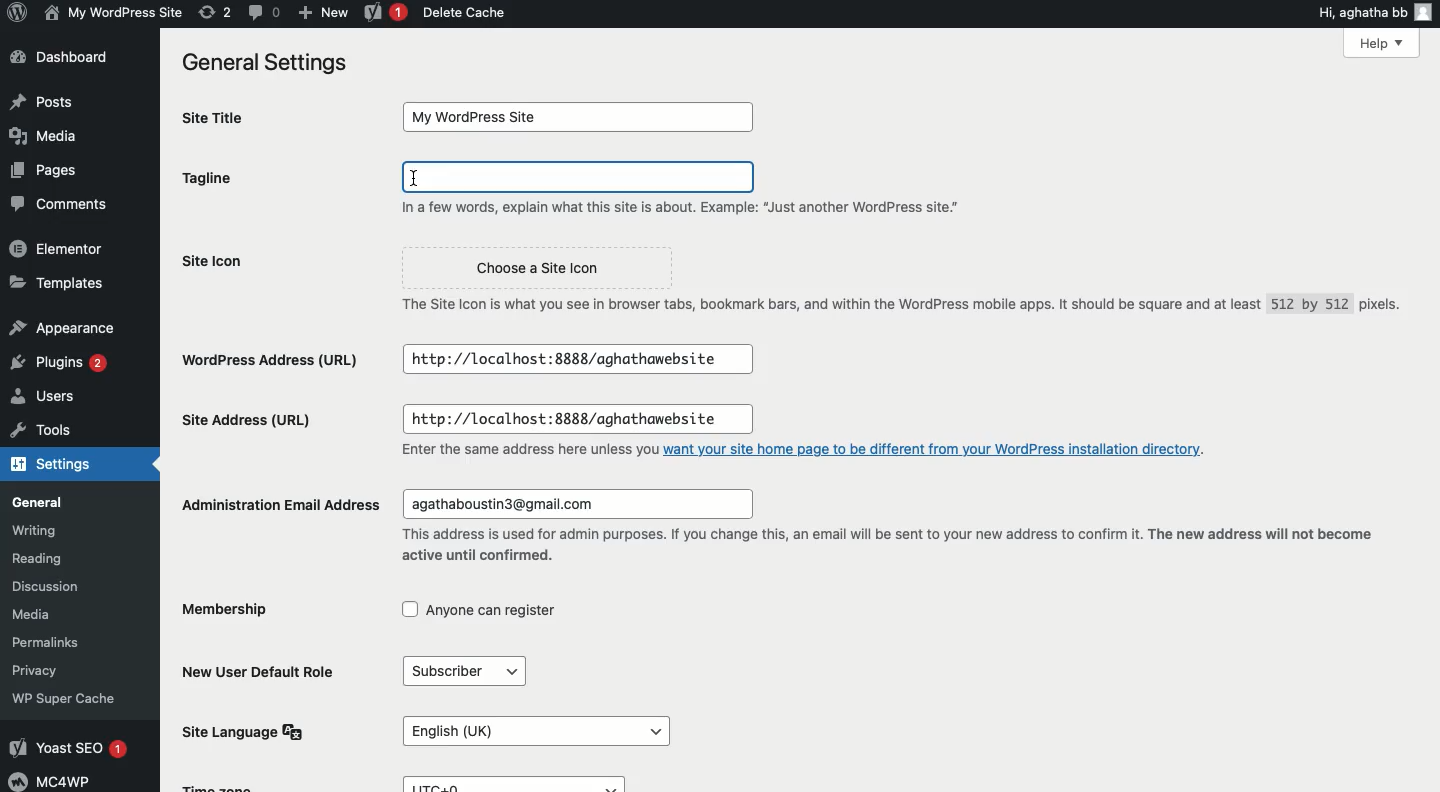 Image resolution: width=1440 pixels, height=792 pixels. Describe the element at coordinates (51, 135) in the screenshot. I see `Media` at that location.